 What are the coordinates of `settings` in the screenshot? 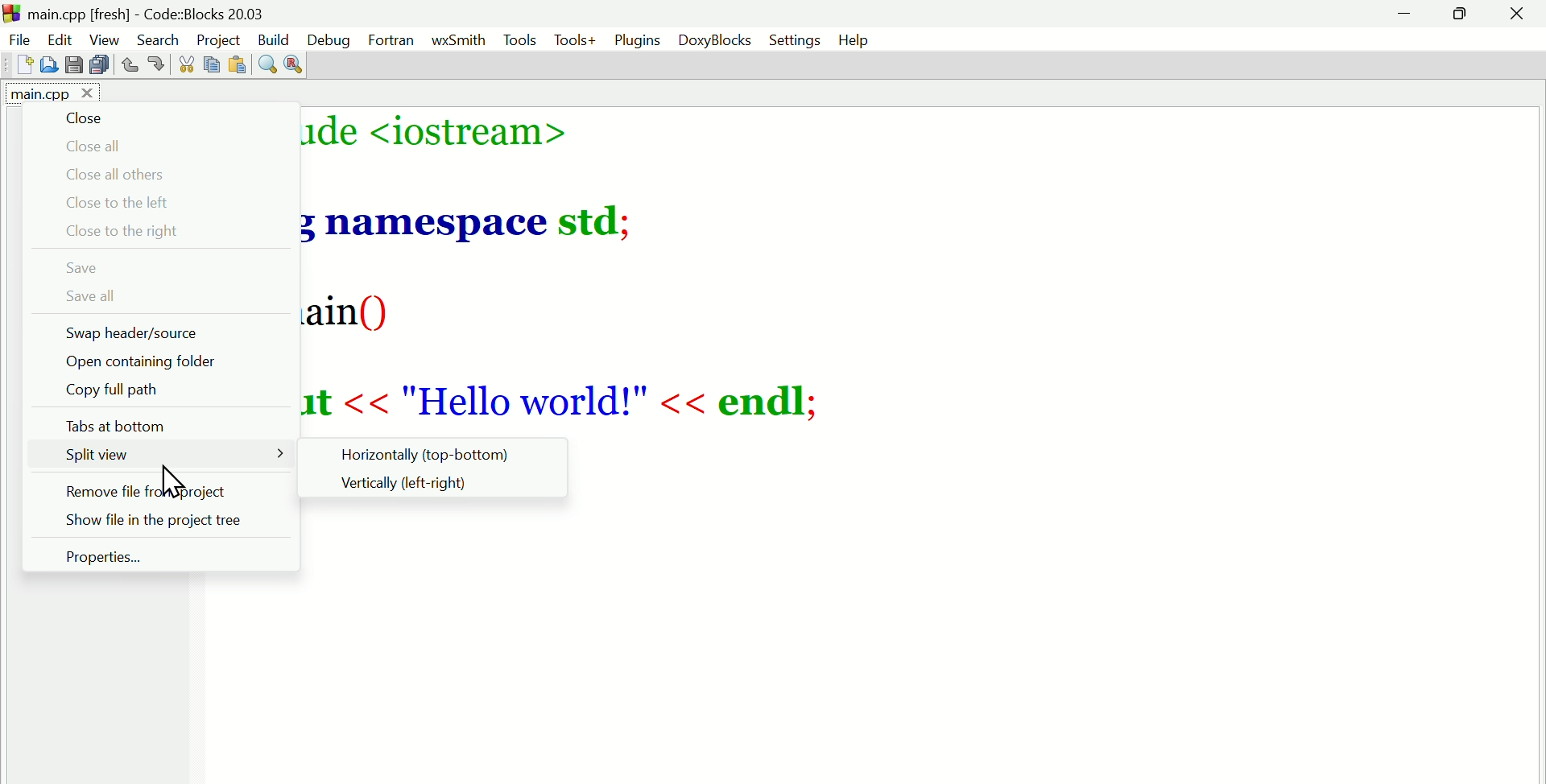 It's located at (796, 40).